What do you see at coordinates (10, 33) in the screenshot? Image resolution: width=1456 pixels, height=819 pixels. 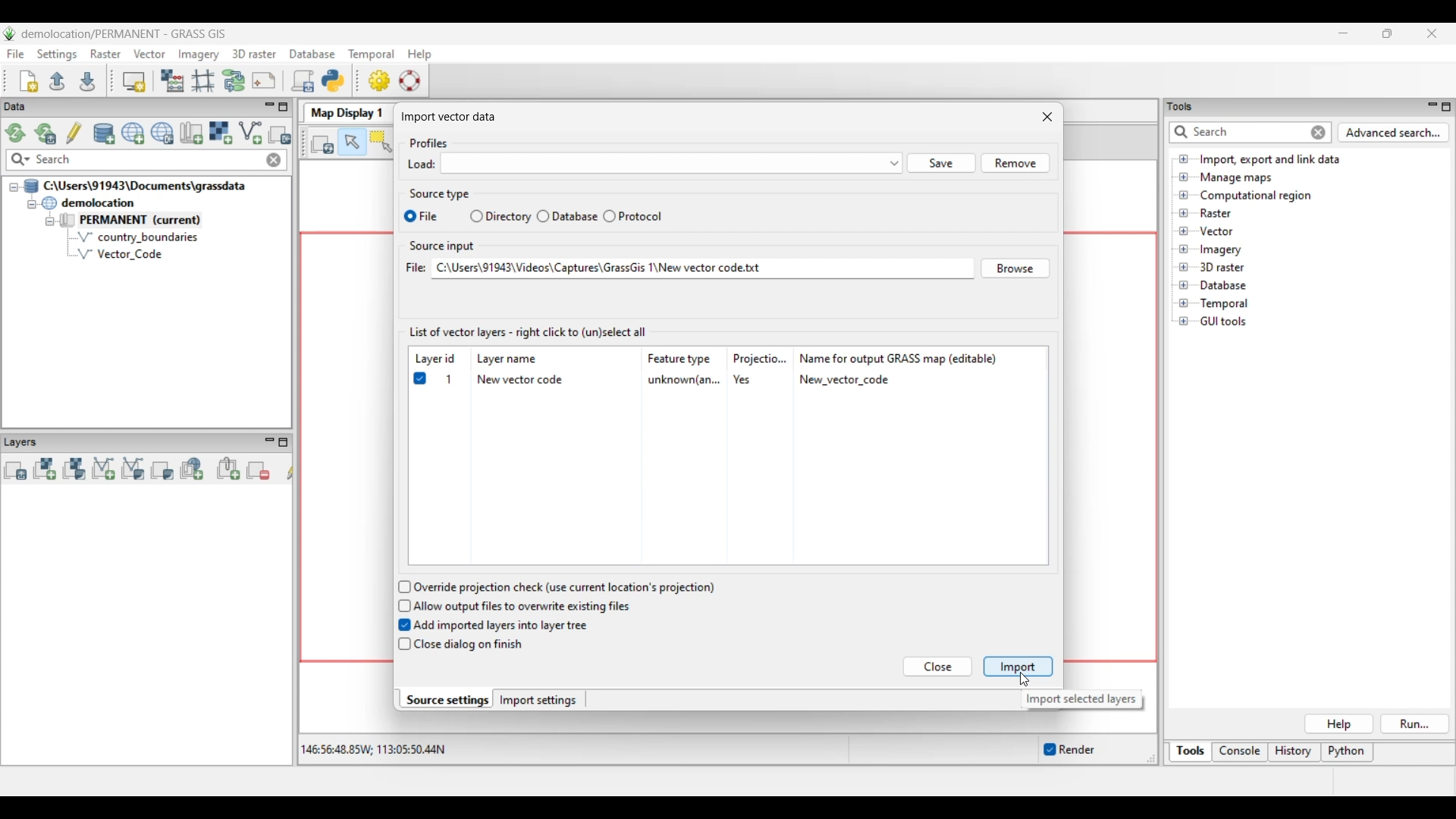 I see `Software logo` at bounding box center [10, 33].